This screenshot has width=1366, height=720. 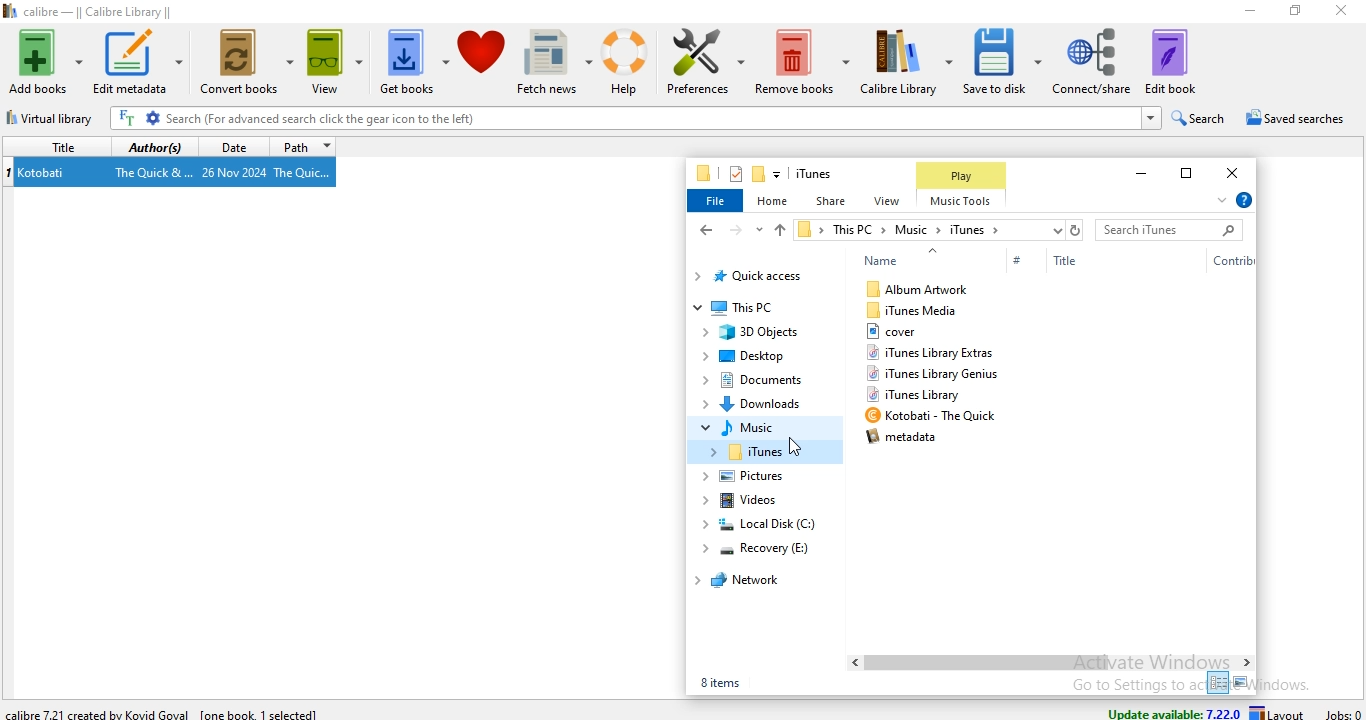 What do you see at coordinates (54, 121) in the screenshot?
I see `virtual library` at bounding box center [54, 121].